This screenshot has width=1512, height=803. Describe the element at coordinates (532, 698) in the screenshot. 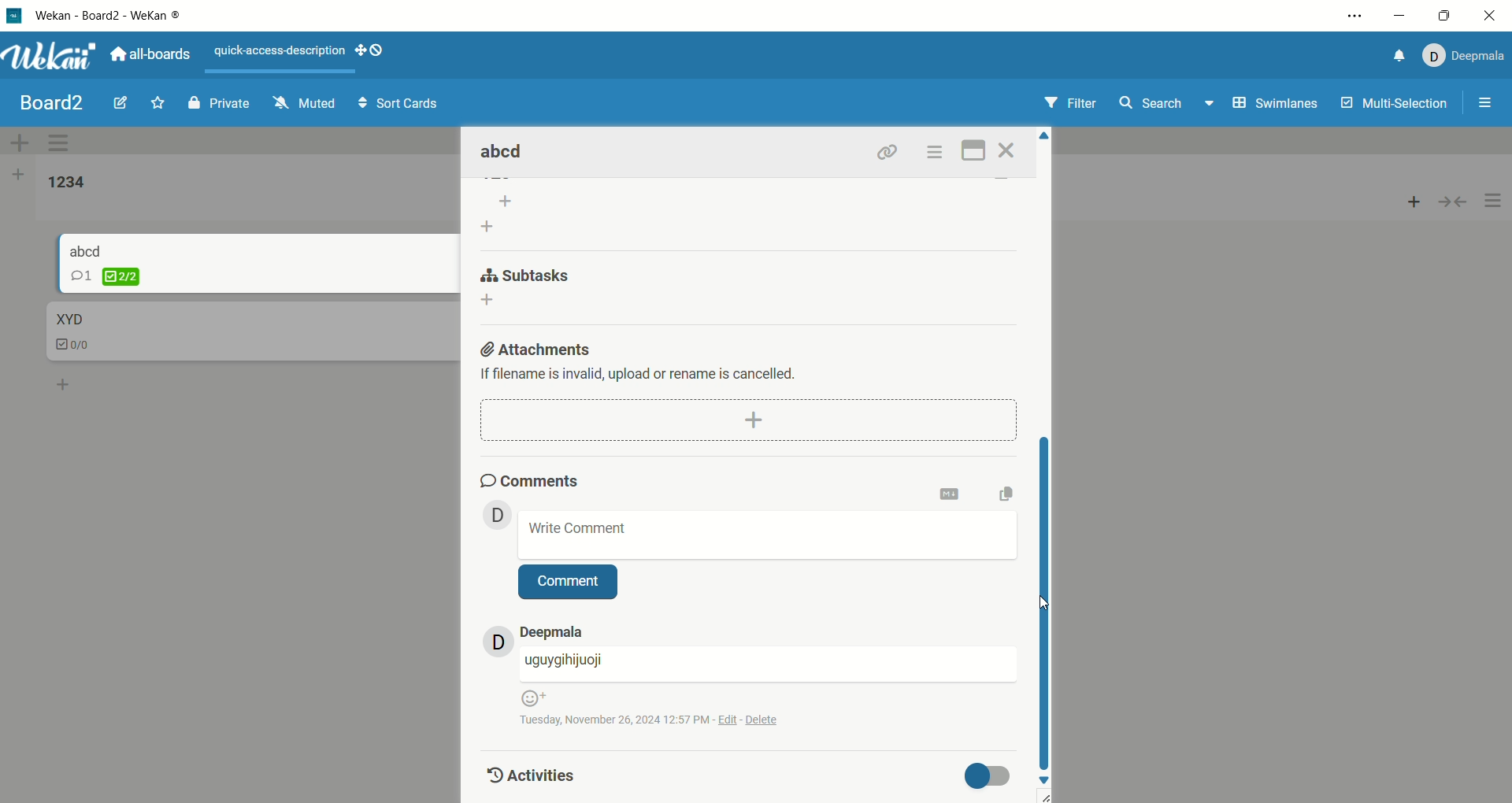

I see `emoji` at that location.